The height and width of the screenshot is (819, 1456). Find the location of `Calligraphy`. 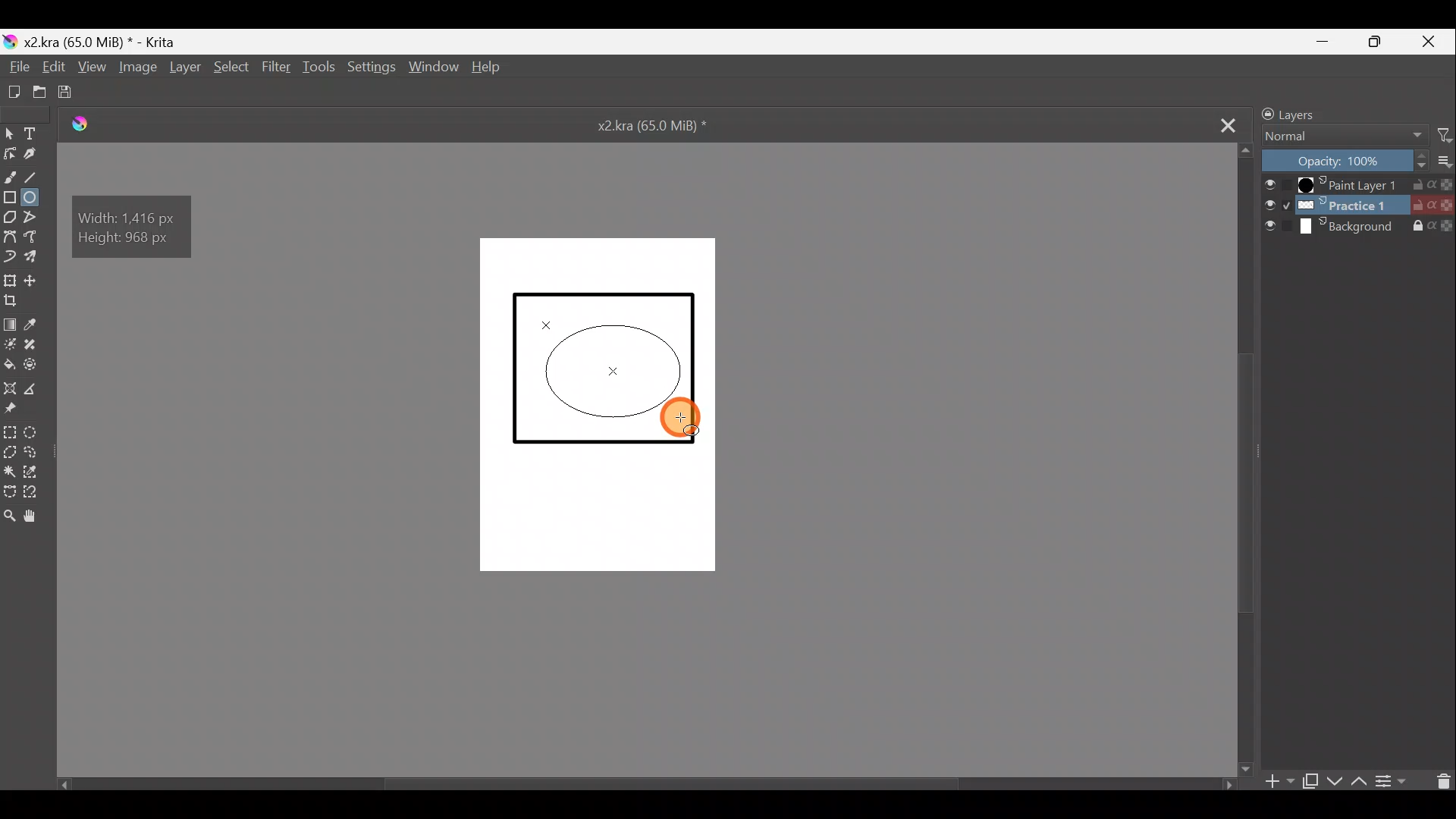

Calligraphy is located at coordinates (38, 155).